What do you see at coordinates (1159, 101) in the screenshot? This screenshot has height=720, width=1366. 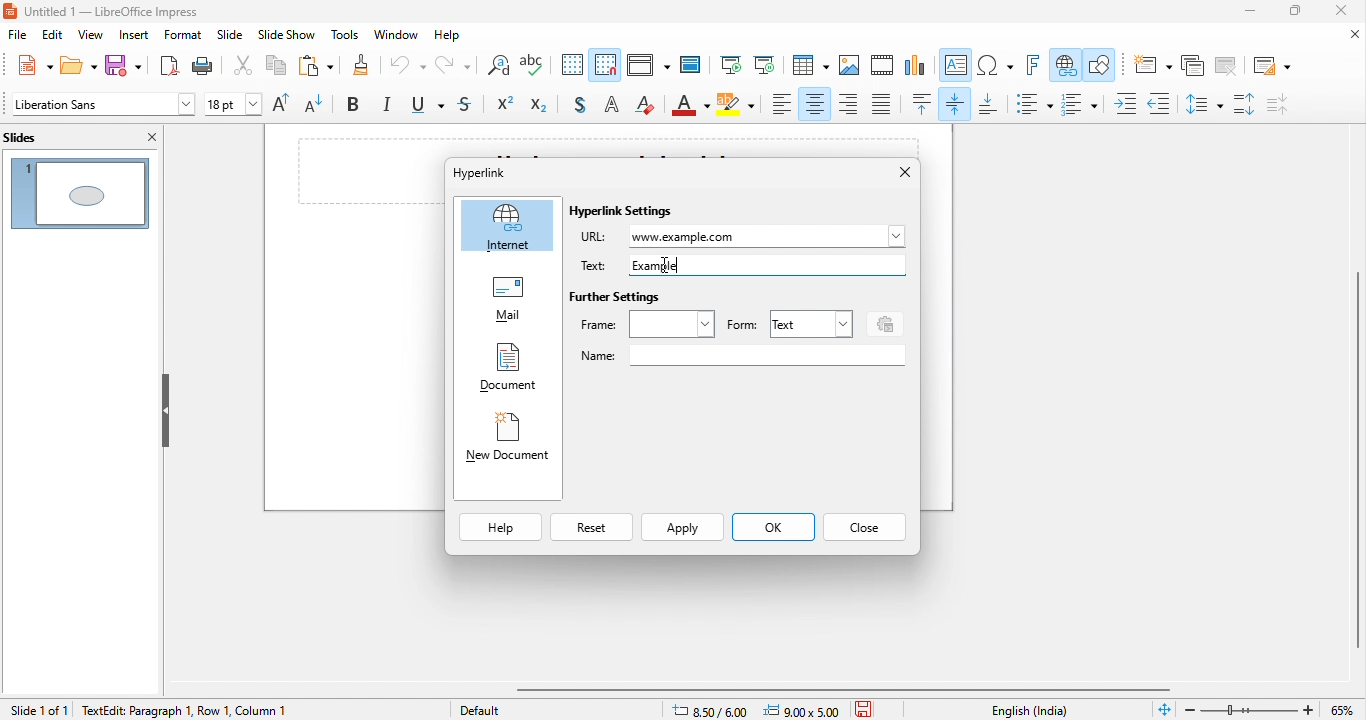 I see `decrease indent` at bounding box center [1159, 101].